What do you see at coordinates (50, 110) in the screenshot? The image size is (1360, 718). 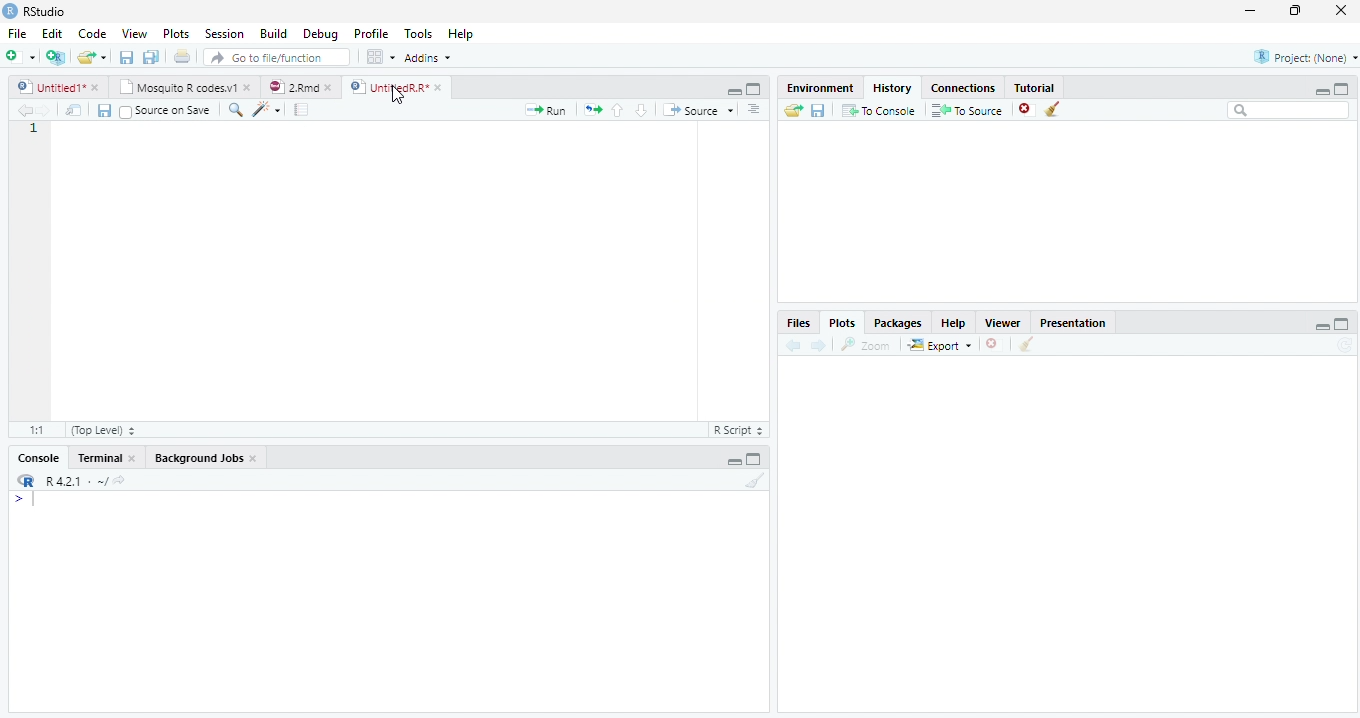 I see `Forward` at bounding box center [50, 110].